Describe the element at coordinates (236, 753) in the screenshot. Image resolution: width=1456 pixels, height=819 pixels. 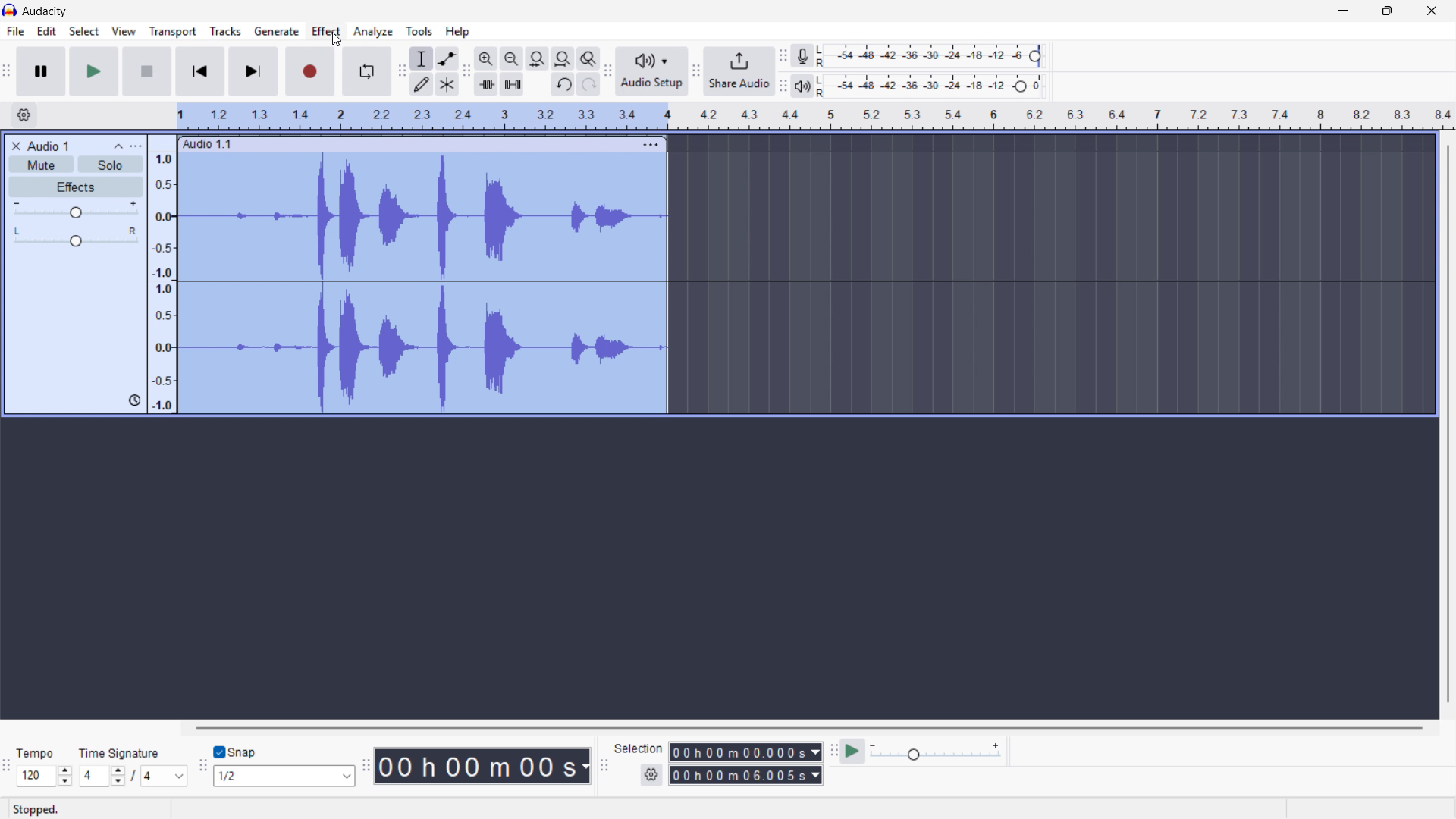
I see `Toggle snap` at that location.